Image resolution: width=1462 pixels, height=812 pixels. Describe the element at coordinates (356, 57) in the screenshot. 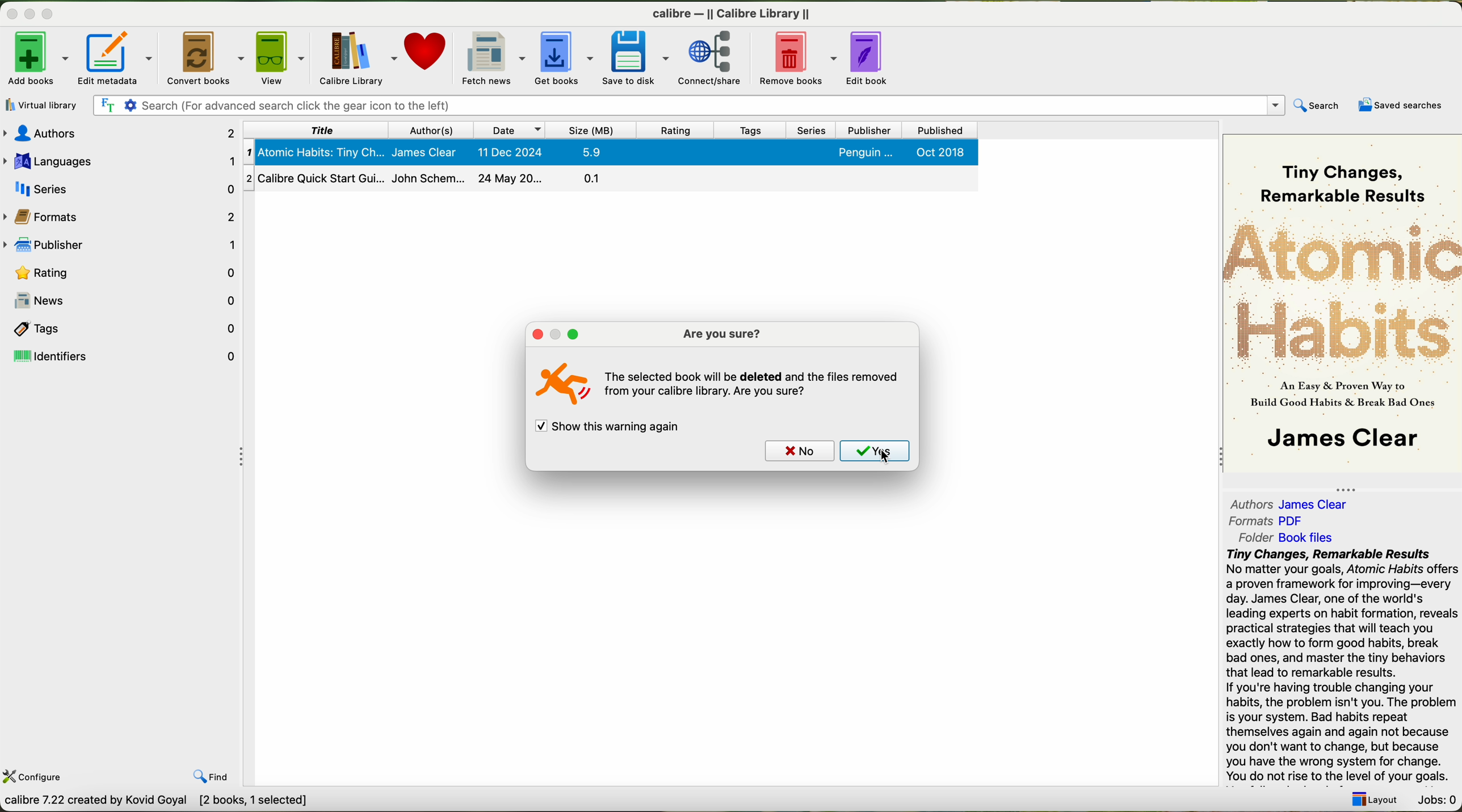

I see `calibre library` at that location.